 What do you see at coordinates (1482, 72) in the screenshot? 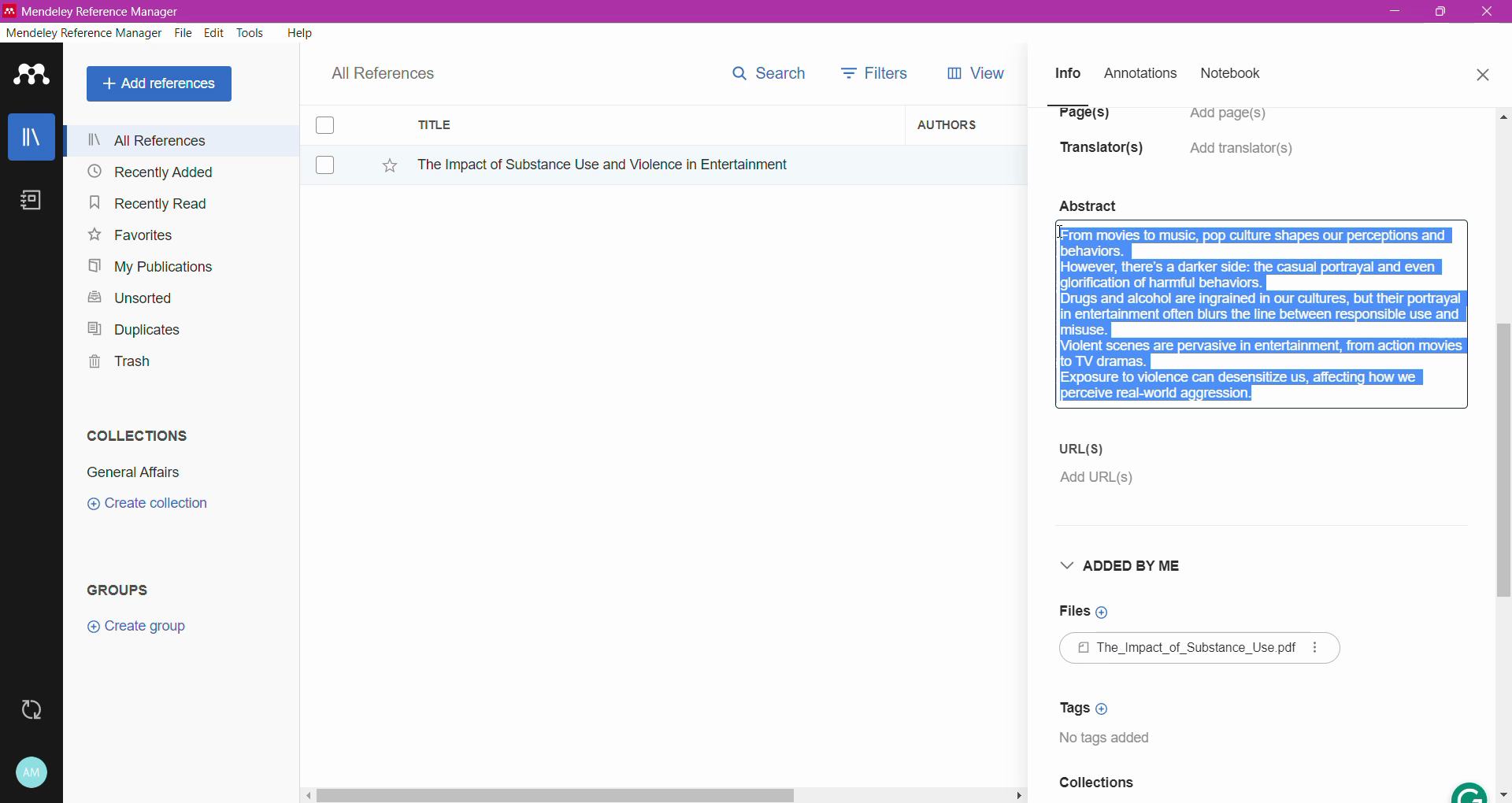
I see `Close` at bounding box center [1482, 72].